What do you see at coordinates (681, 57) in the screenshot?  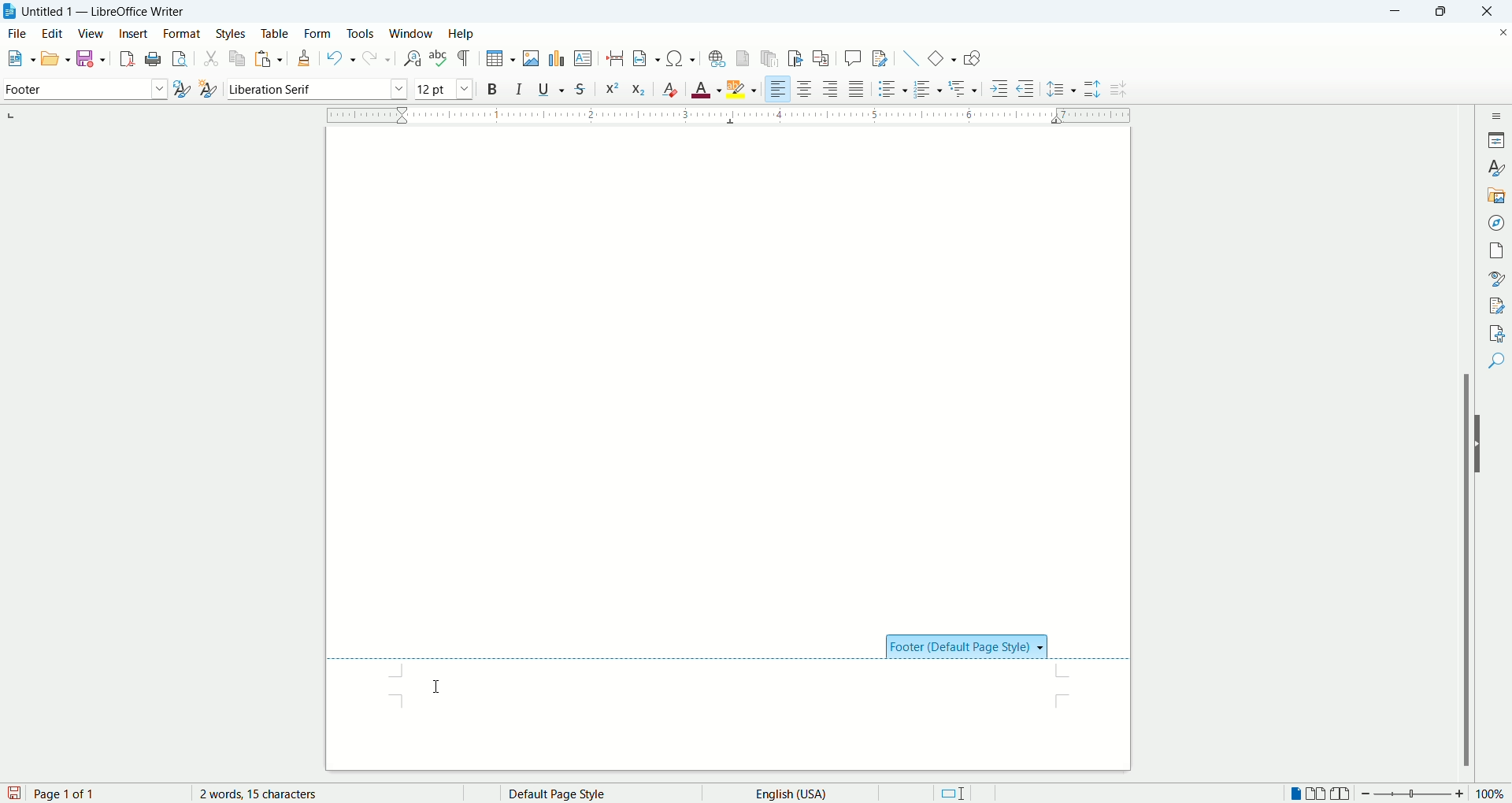 I see `insert symbol` at bounding box center [681, 57].